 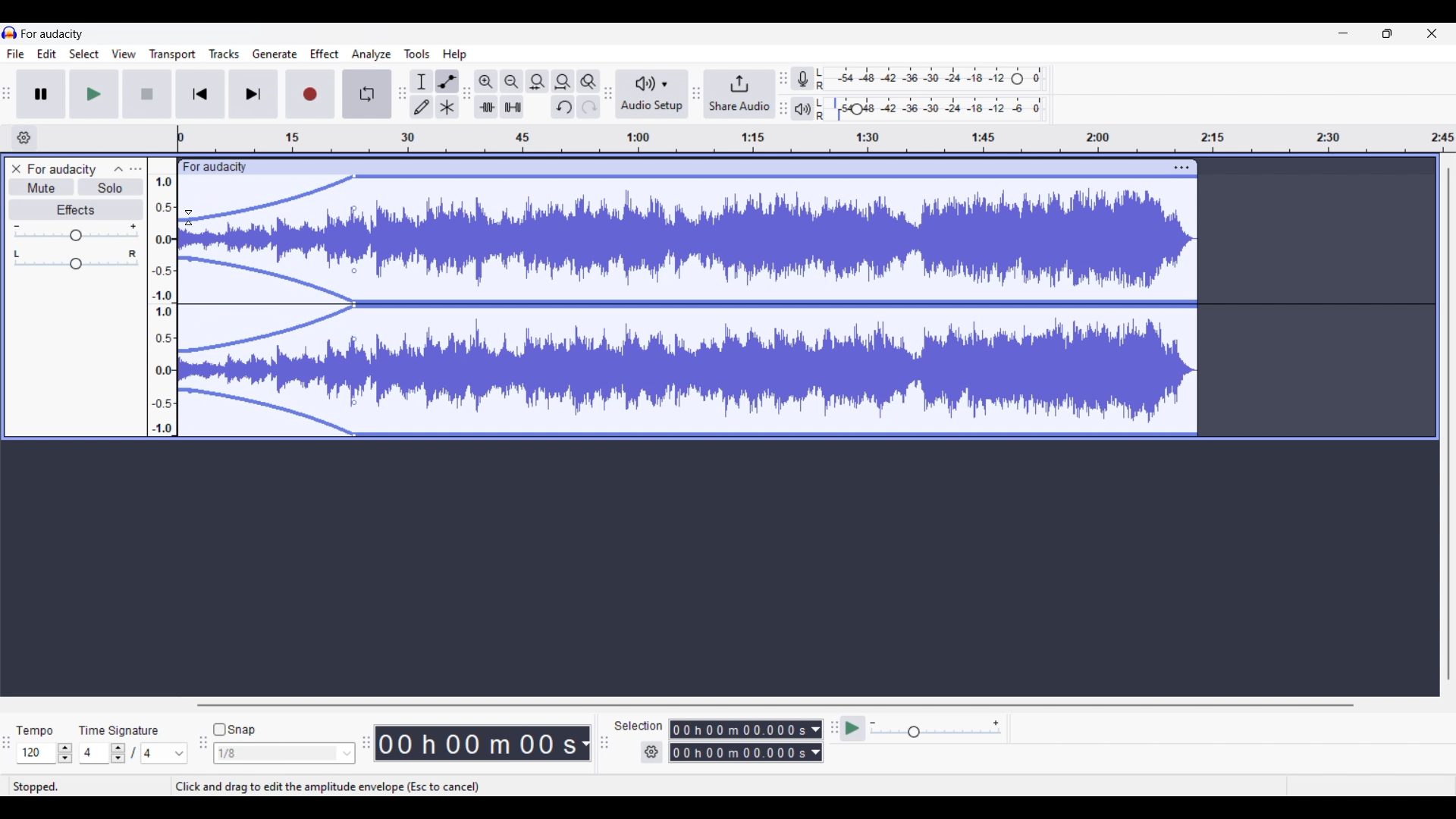 What do you see at coordinates (448, 82) in the screenshot?
I see `Envelop tool` at bounding box center [448, 82].